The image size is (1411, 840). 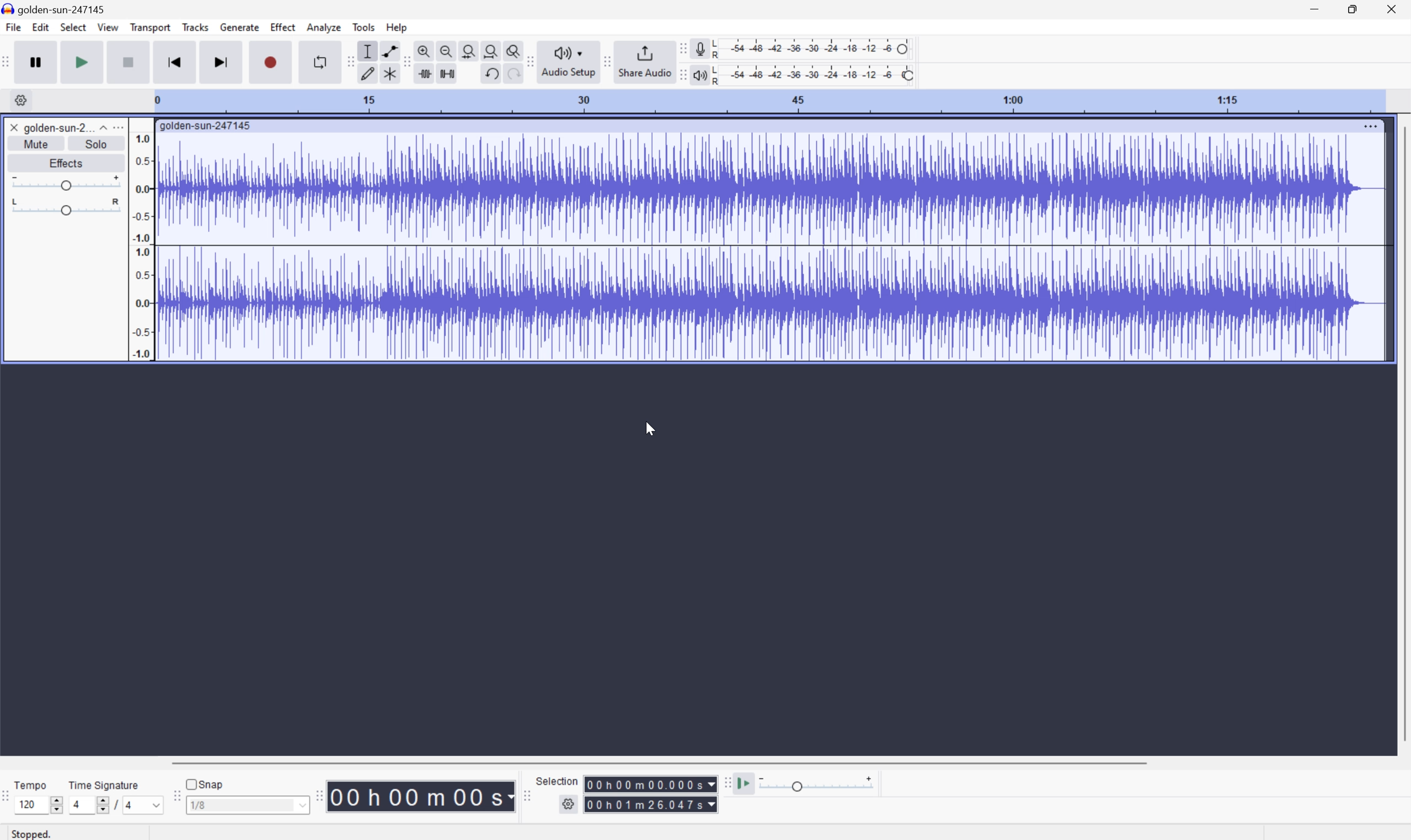 I want to click on Audio Setup, so click(x=568, y=62).